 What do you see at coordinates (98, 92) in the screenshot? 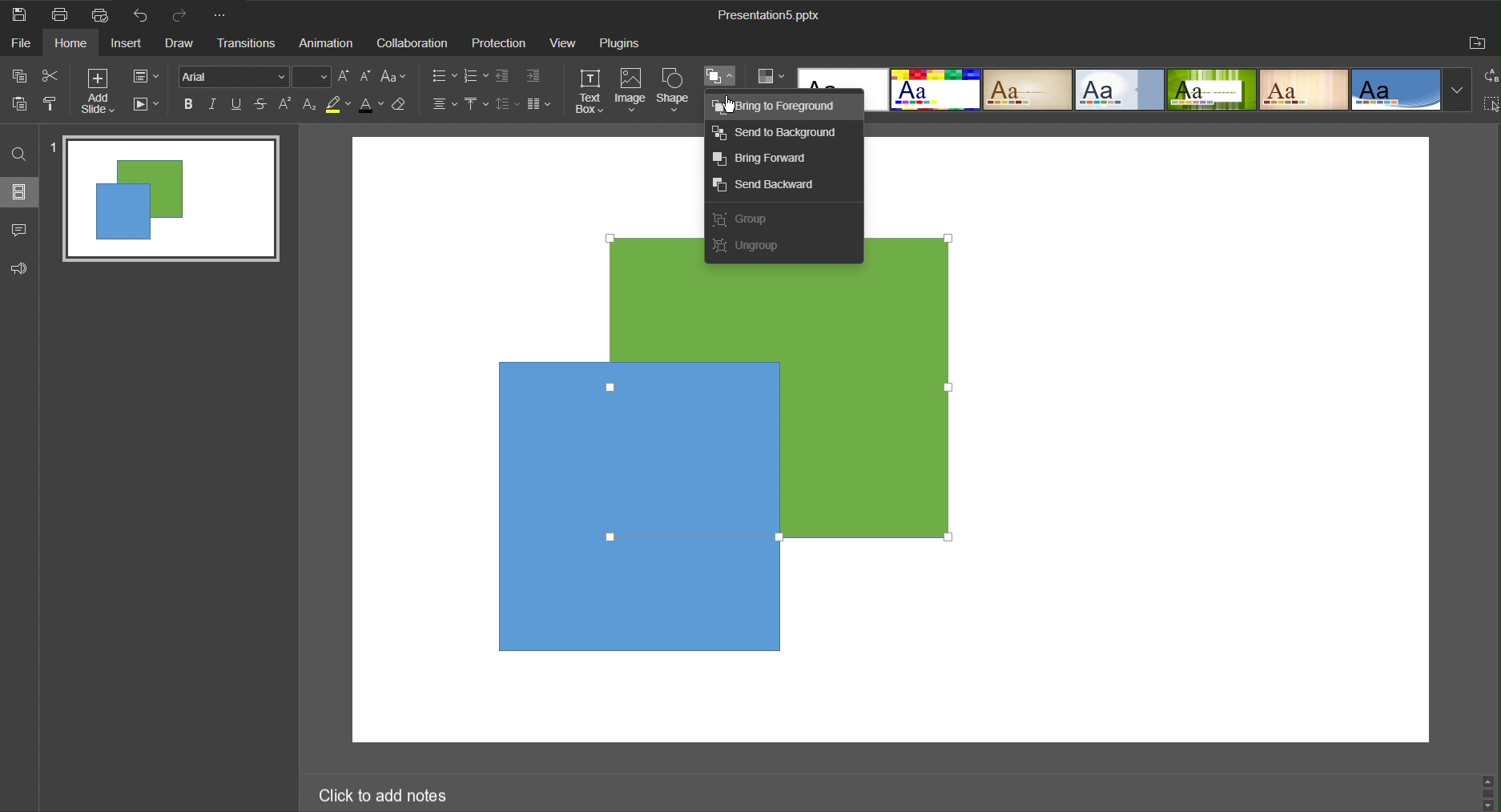
I see `Add Slide` at bounding box center [98, 92].